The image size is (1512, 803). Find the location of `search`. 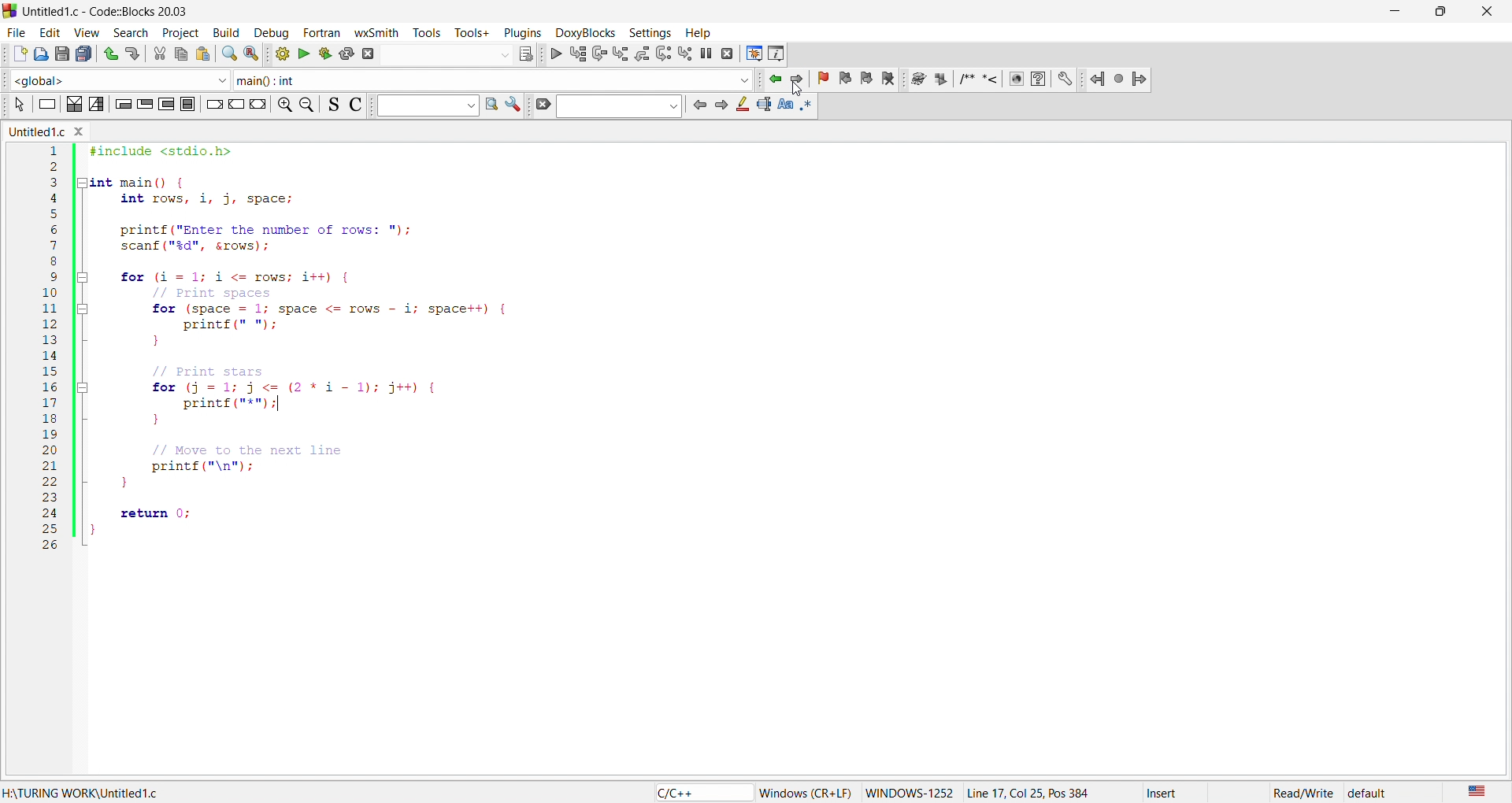

search is located at coordinates (131, 31).